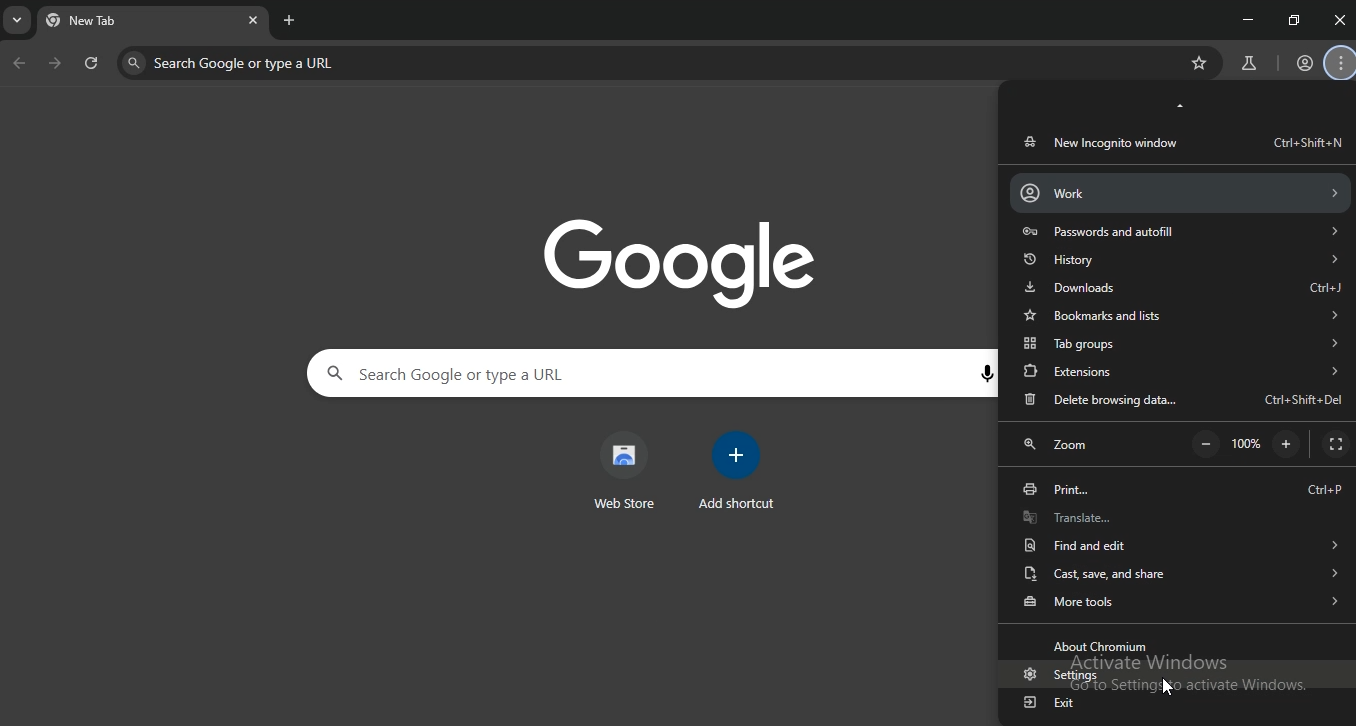 This screenshot has width=1356, height=726. I want to click on new tab, so click(290, 20).